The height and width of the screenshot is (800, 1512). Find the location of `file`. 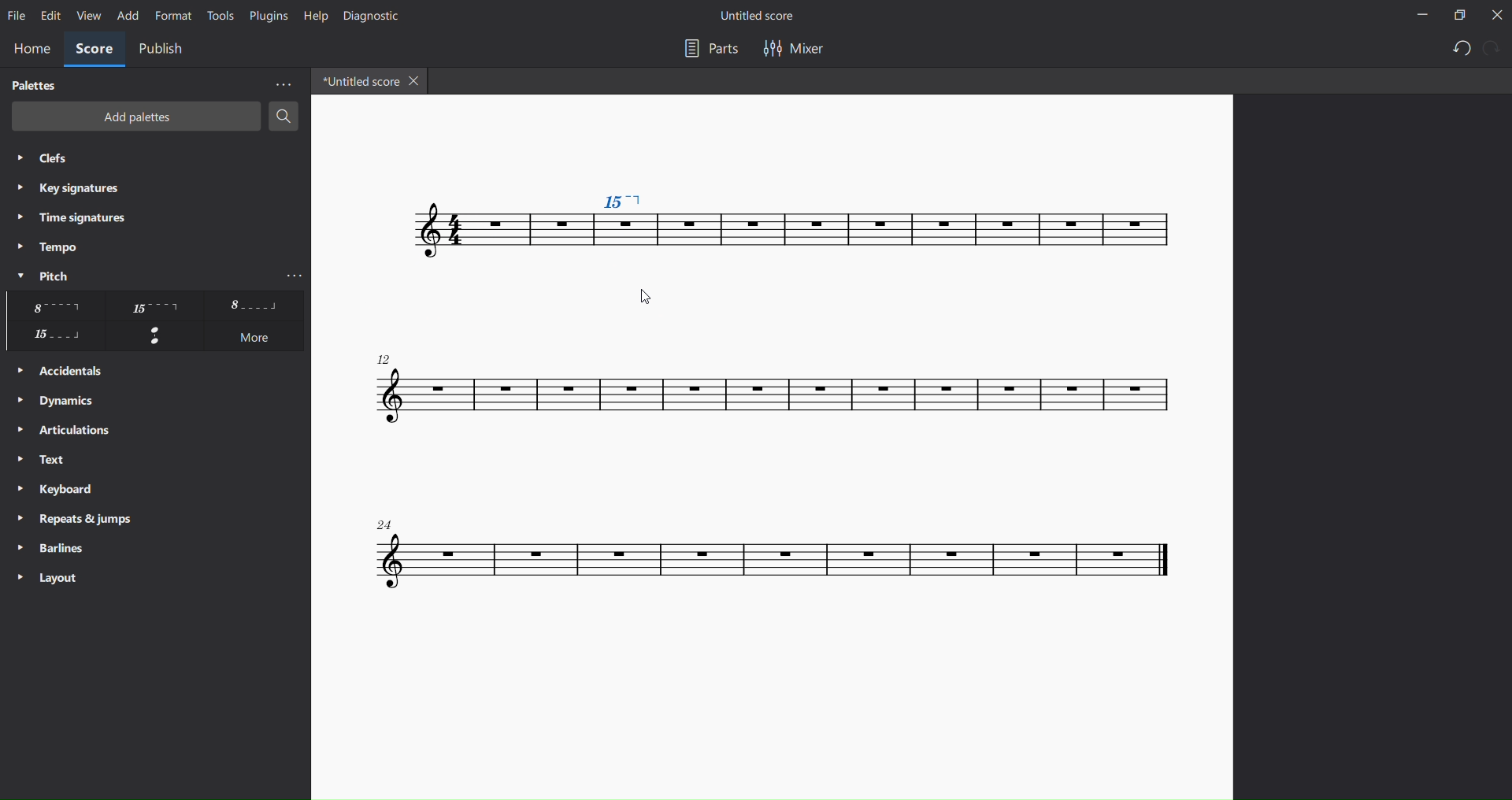

file is located at coordinates (18, 14).